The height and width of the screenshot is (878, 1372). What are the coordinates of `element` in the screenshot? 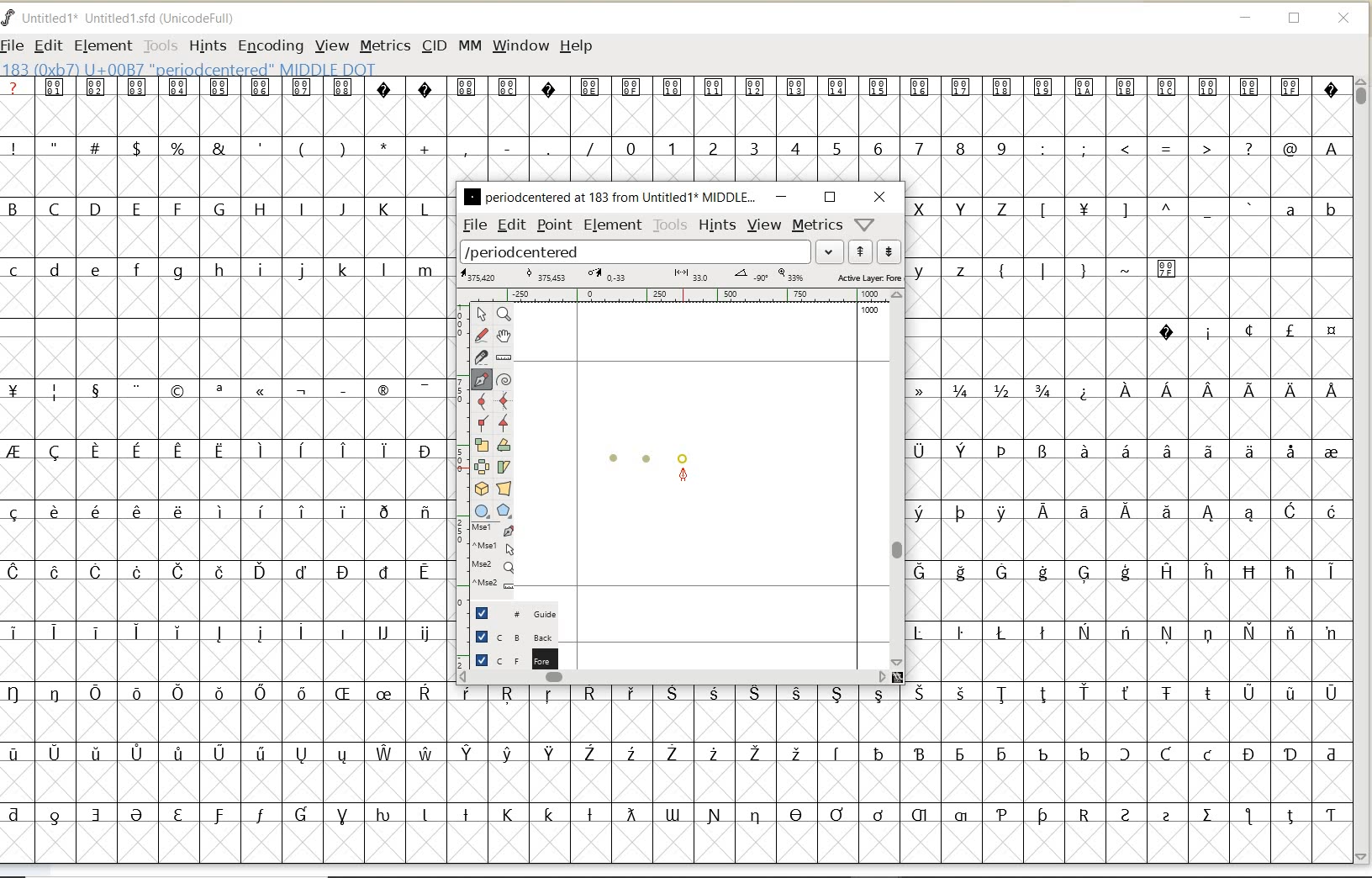 It's located at (610, 225).